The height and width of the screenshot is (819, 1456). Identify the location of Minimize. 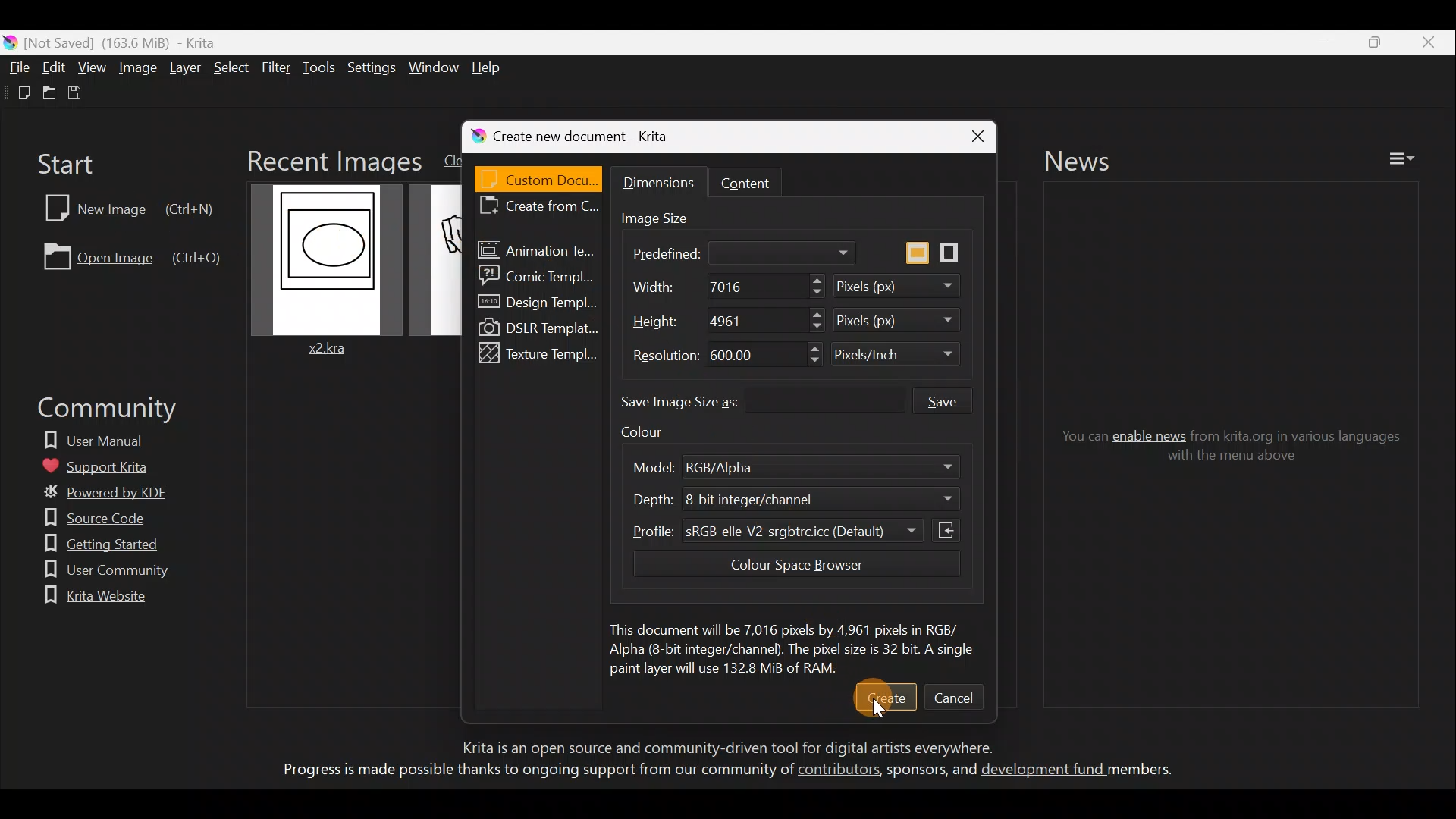
(1314, 43).